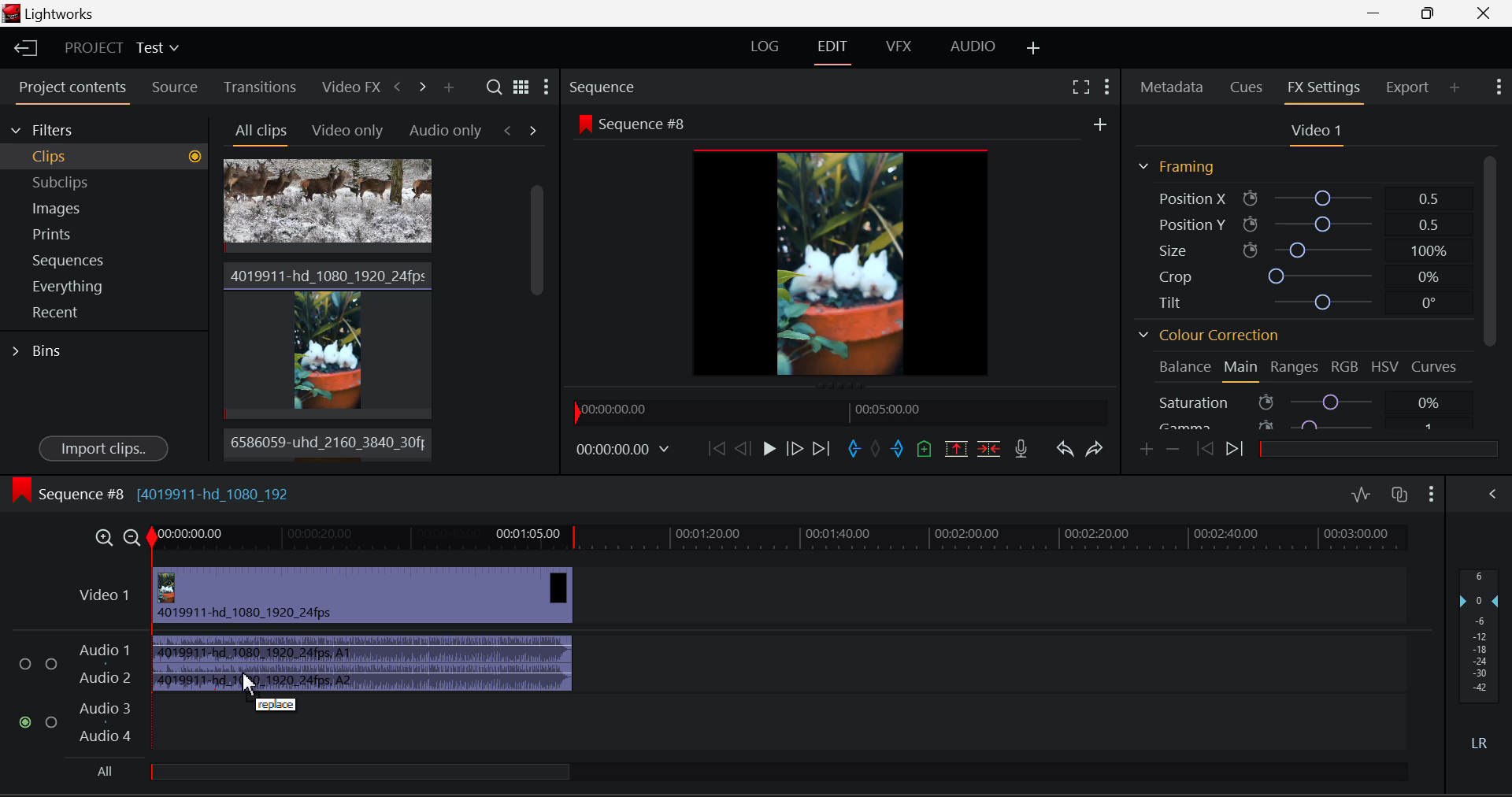  Describe the element at coordinates (117, 537) in the screenshot. I see `Timeline Zoom In/Out` at that location.